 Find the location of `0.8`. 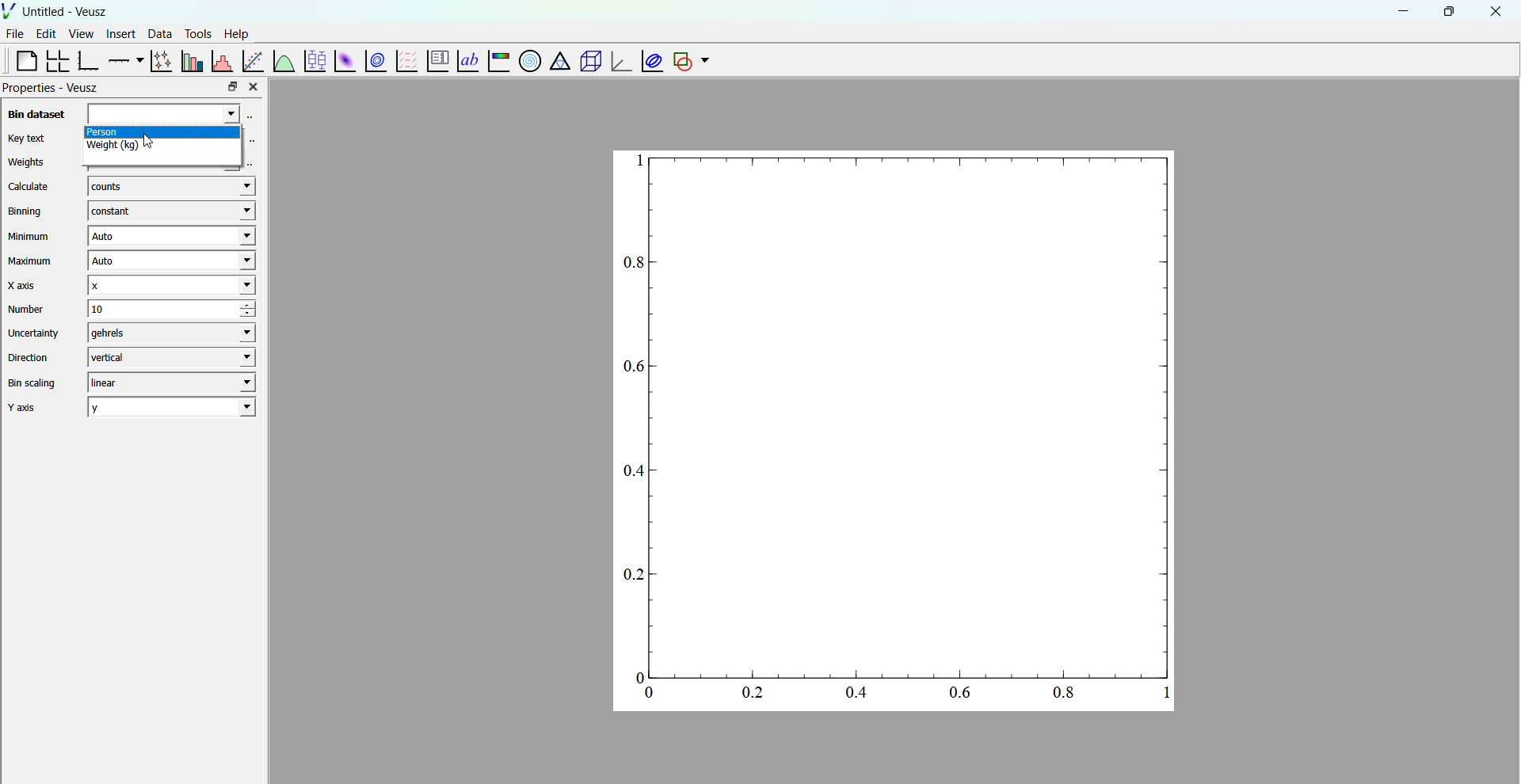

0.8 is located at coordinates (1067, 693).